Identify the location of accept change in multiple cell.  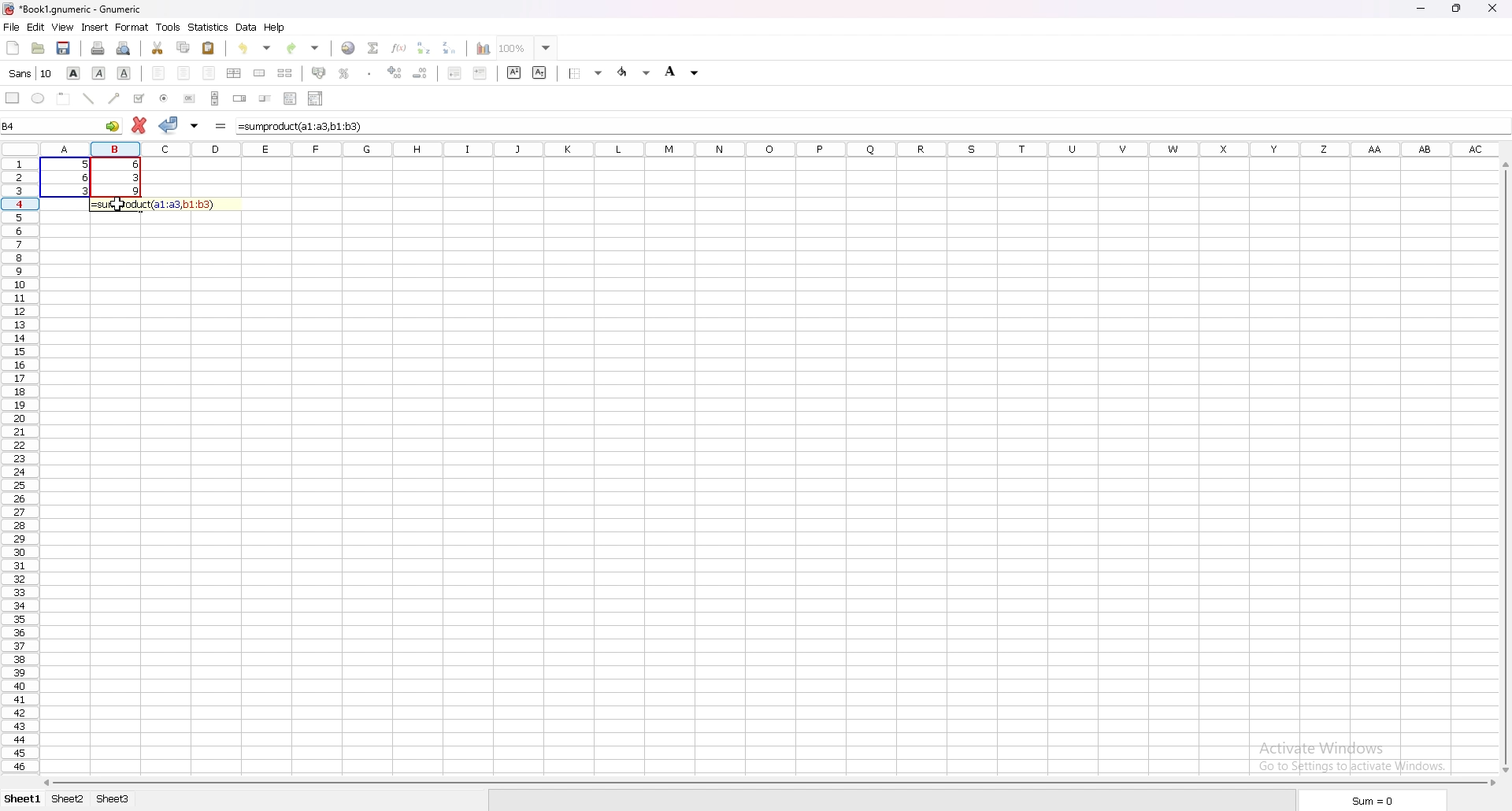
(195, 127).